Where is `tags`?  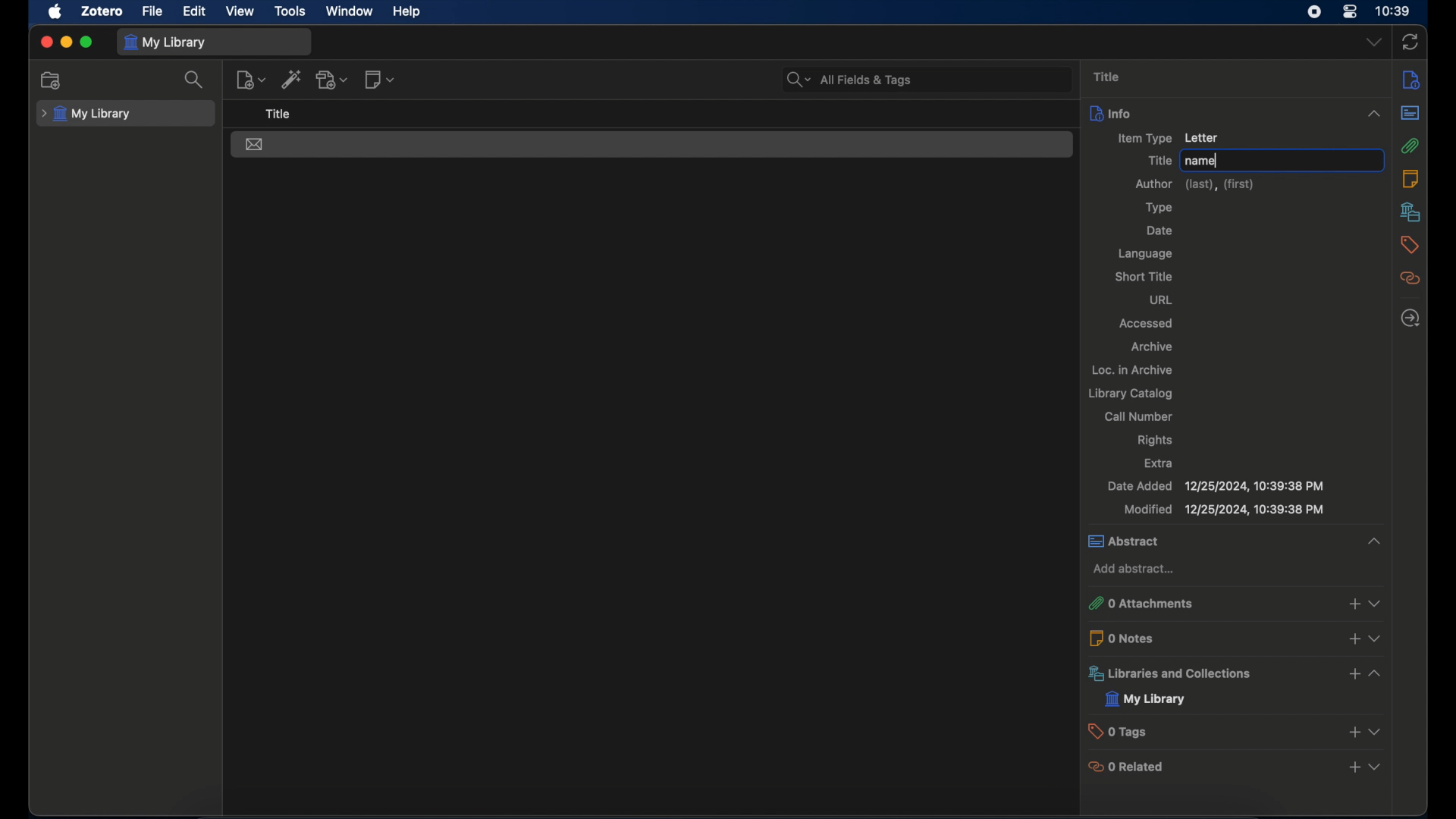
tags is located at coordinates (1407, 245).